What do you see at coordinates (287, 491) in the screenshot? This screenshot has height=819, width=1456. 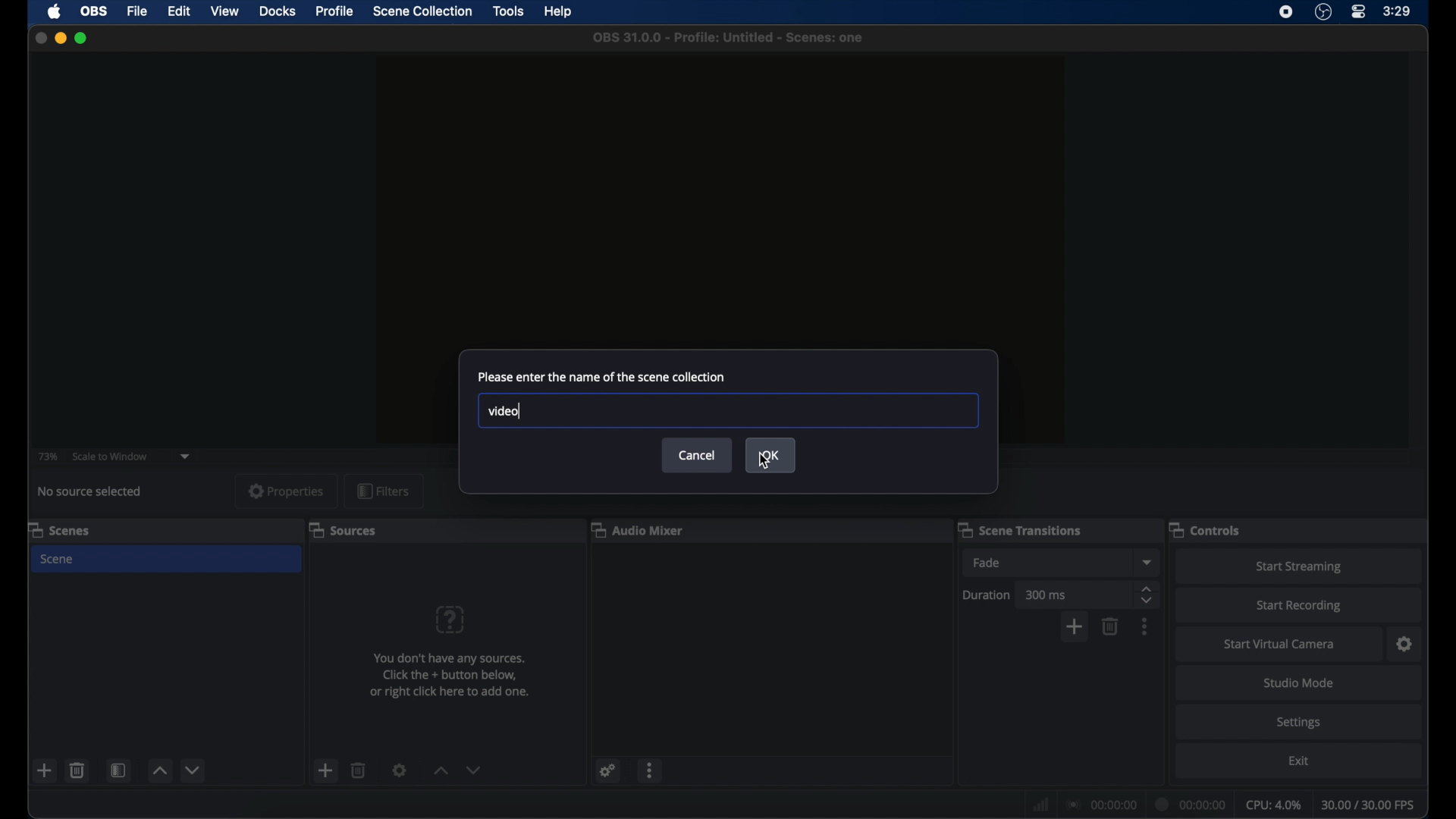 I see `properties` at bounding box center [287, 491].